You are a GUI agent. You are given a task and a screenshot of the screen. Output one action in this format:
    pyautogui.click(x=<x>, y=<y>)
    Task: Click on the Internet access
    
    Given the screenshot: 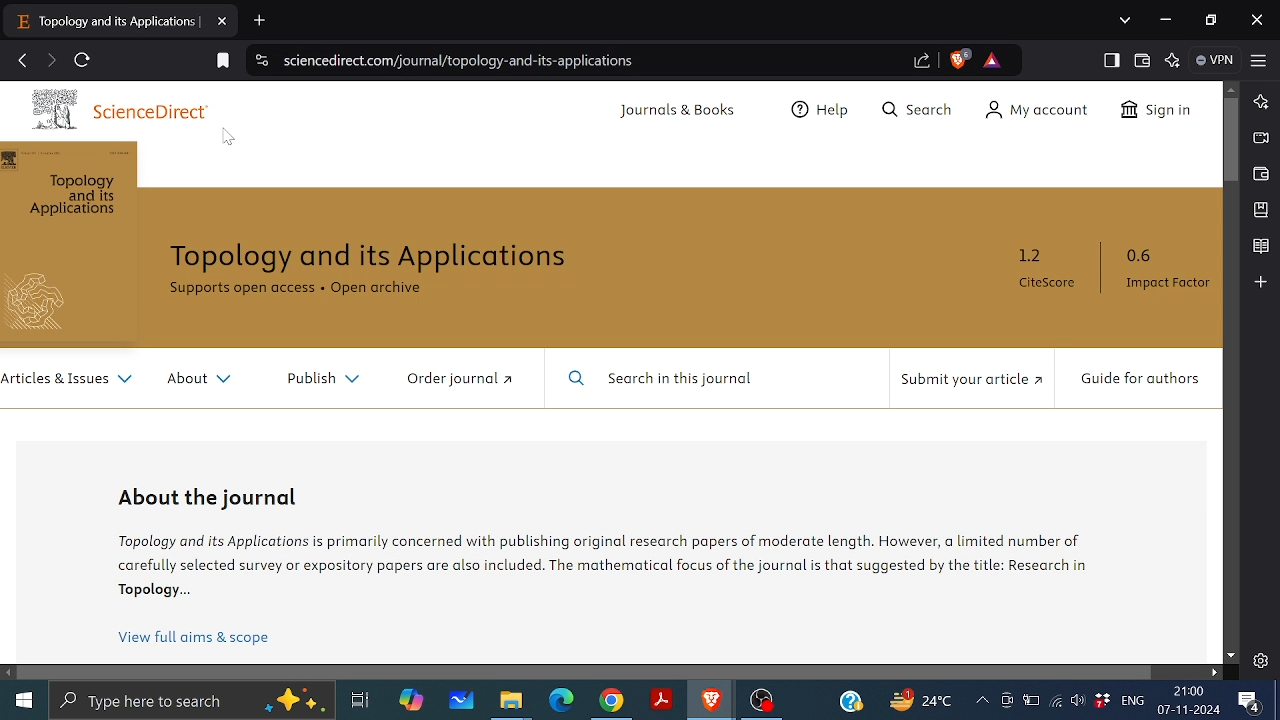 What is the action you would take?
    pyautogui.click(x=1058, y=702)
    